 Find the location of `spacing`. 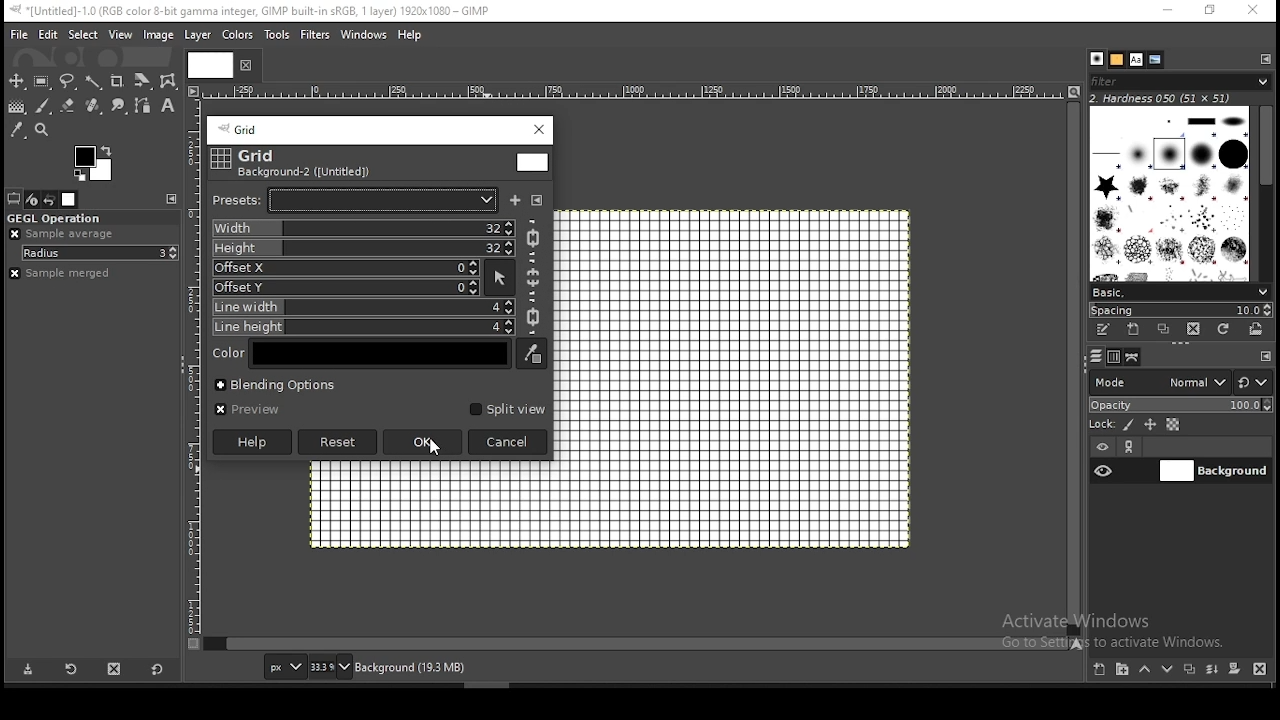

spacing is located at coordinates (1183, 312).